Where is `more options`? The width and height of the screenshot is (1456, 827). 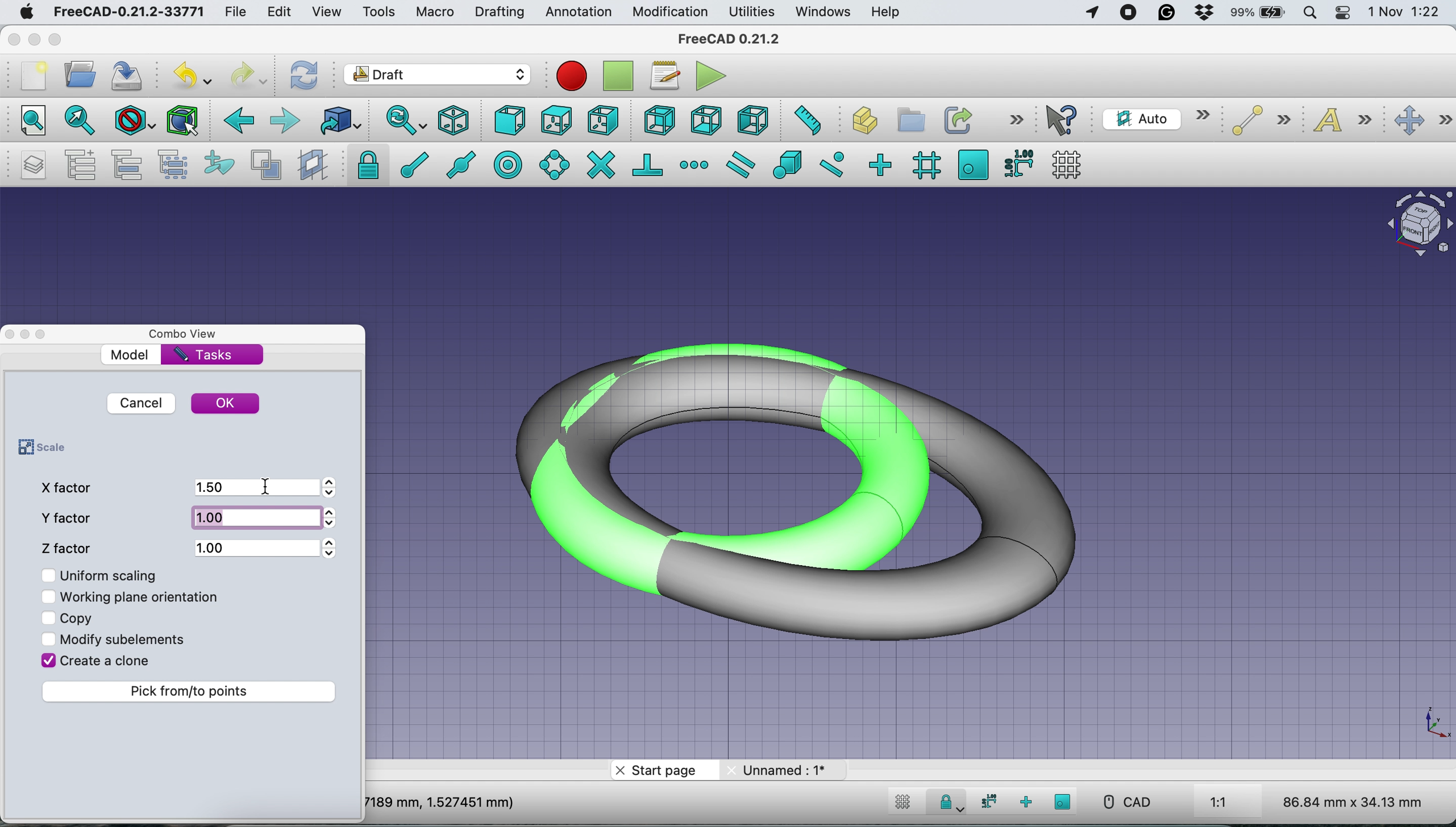 more options is located at coordinates (1014, 120).